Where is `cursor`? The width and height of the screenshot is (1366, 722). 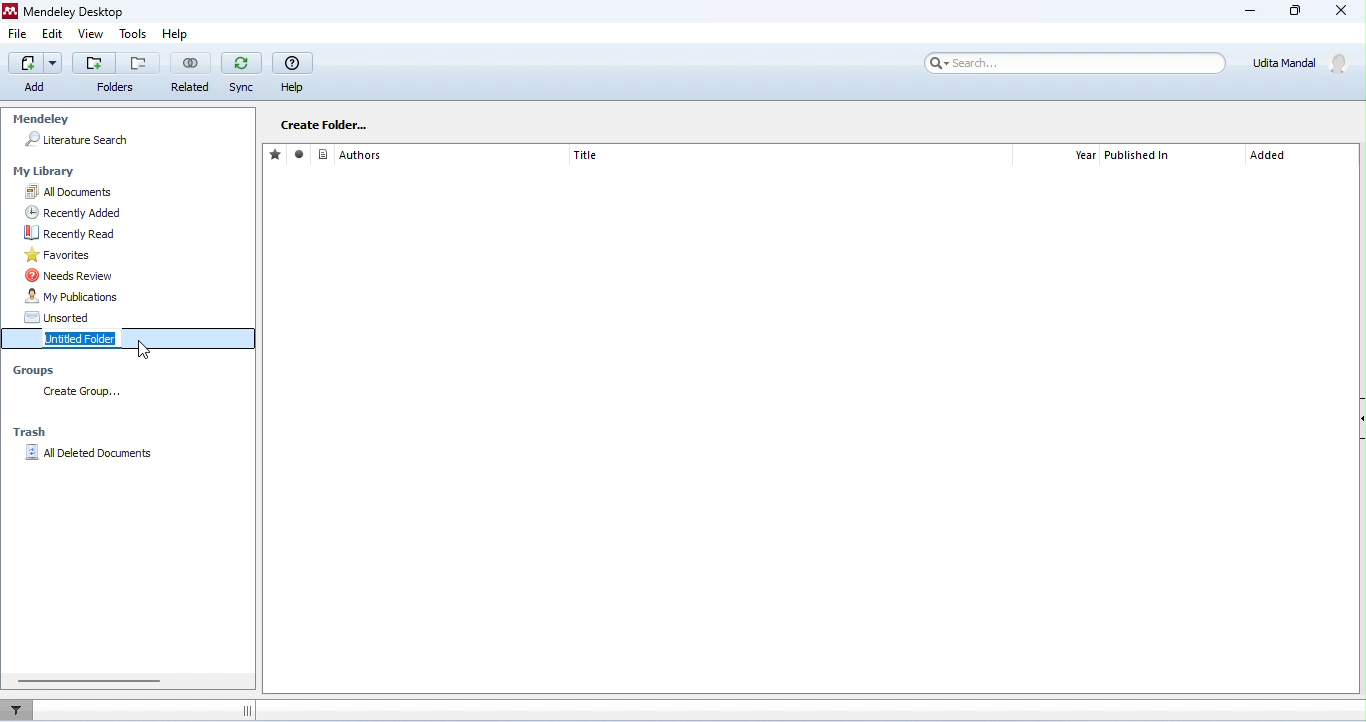
cursor is located at coordinates (148, 351).